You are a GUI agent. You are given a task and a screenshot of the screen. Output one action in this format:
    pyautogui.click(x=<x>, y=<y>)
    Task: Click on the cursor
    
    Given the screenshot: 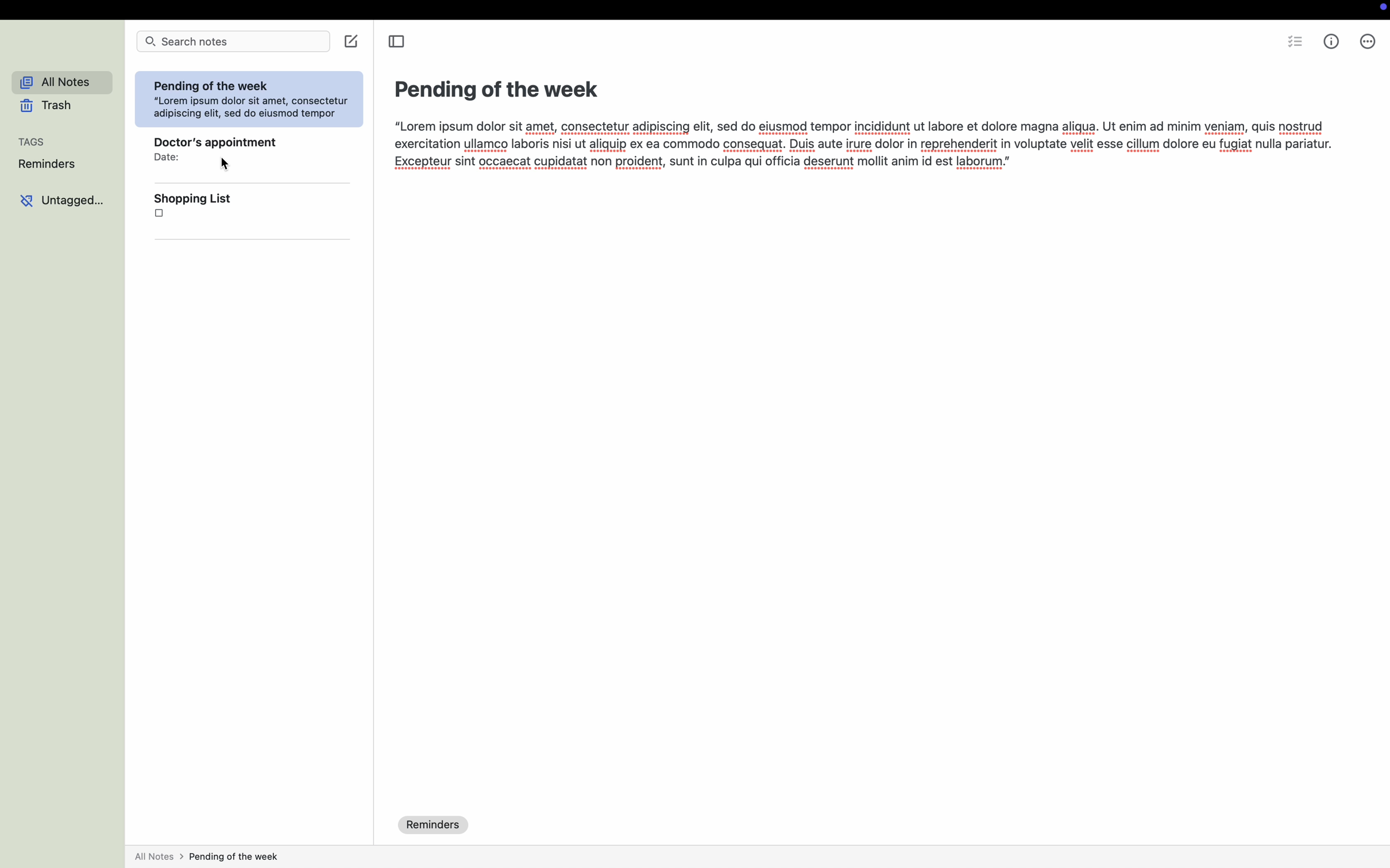 What is the action you would take?
    pyautogui.click(x=225, y=168)
    